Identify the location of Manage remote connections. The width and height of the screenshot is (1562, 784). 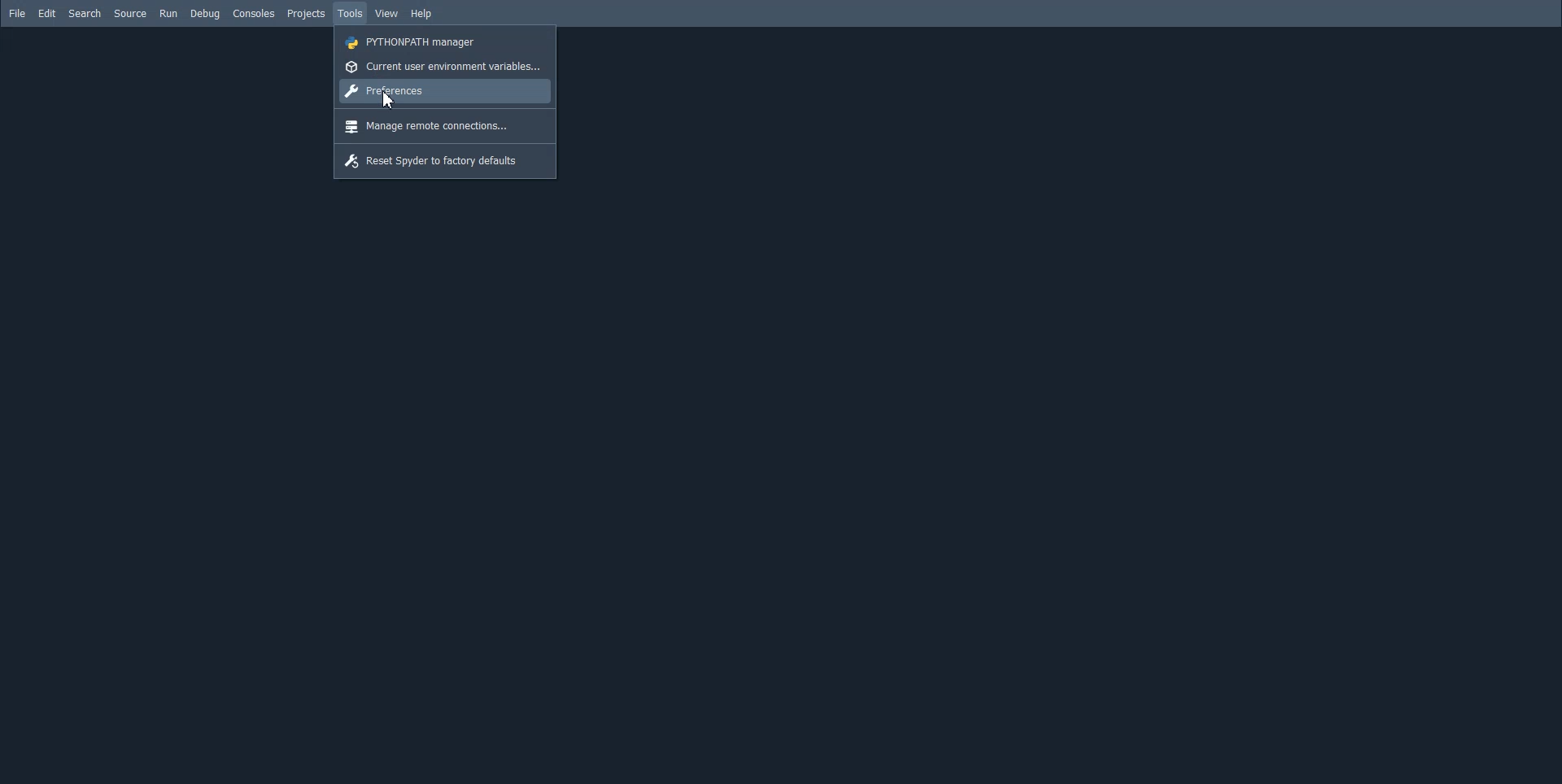
(445, 124).